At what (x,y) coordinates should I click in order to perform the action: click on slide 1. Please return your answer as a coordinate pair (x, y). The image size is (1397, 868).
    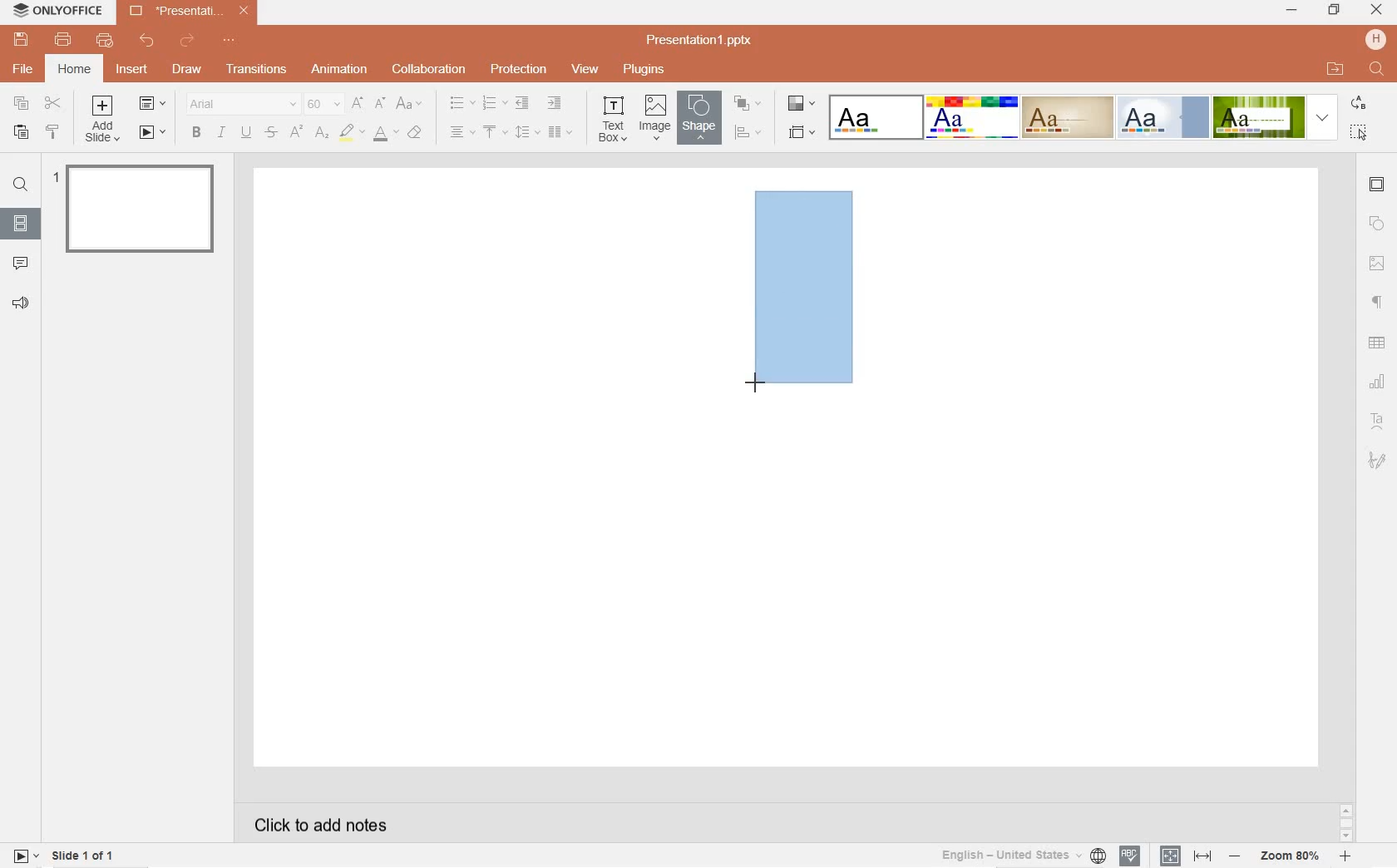
    Looking at the image, I should click on (138, 207).